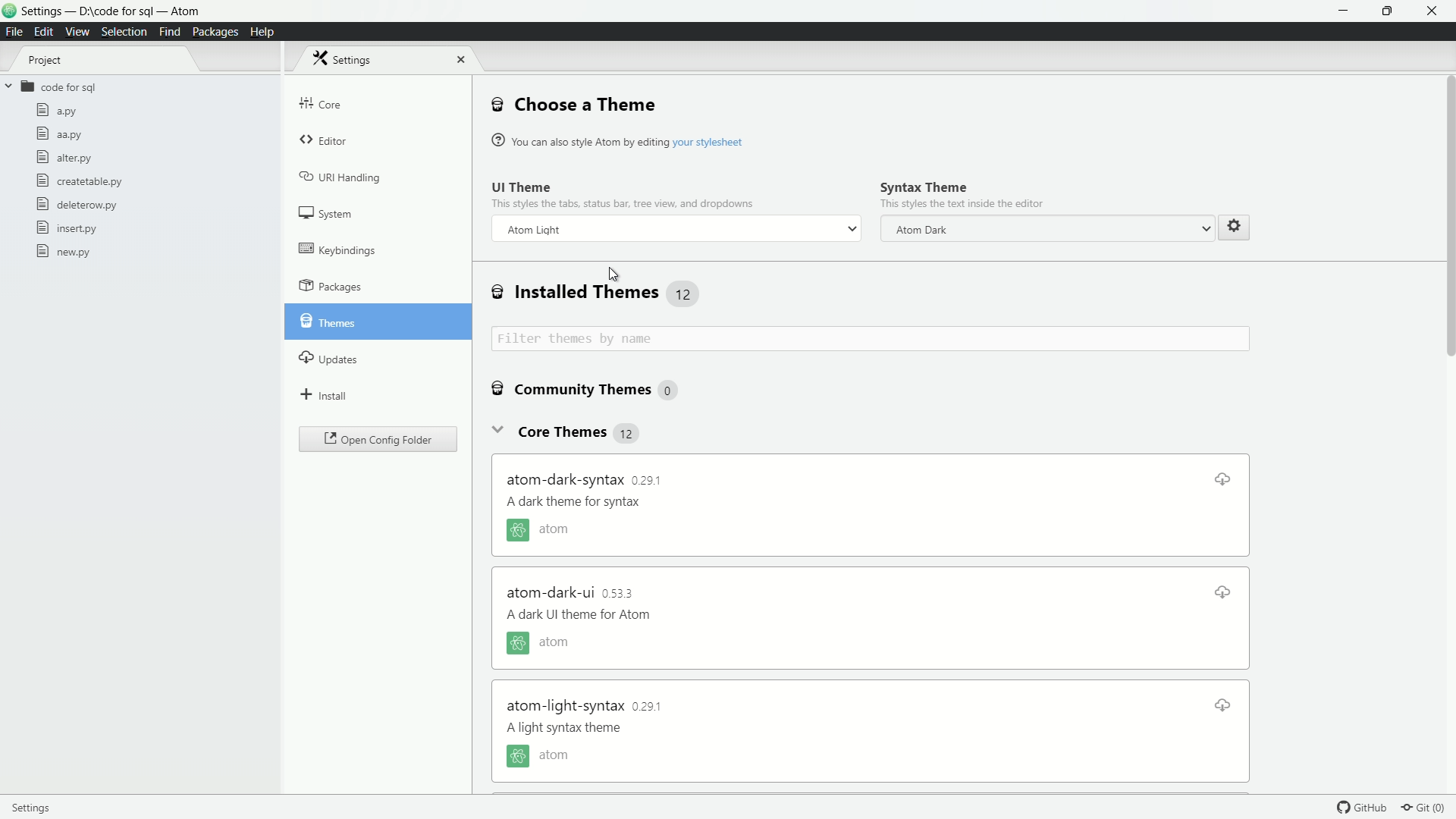  Describe the element at coordinates (13, 32) in the screenshot. I see `file menu` at that location.